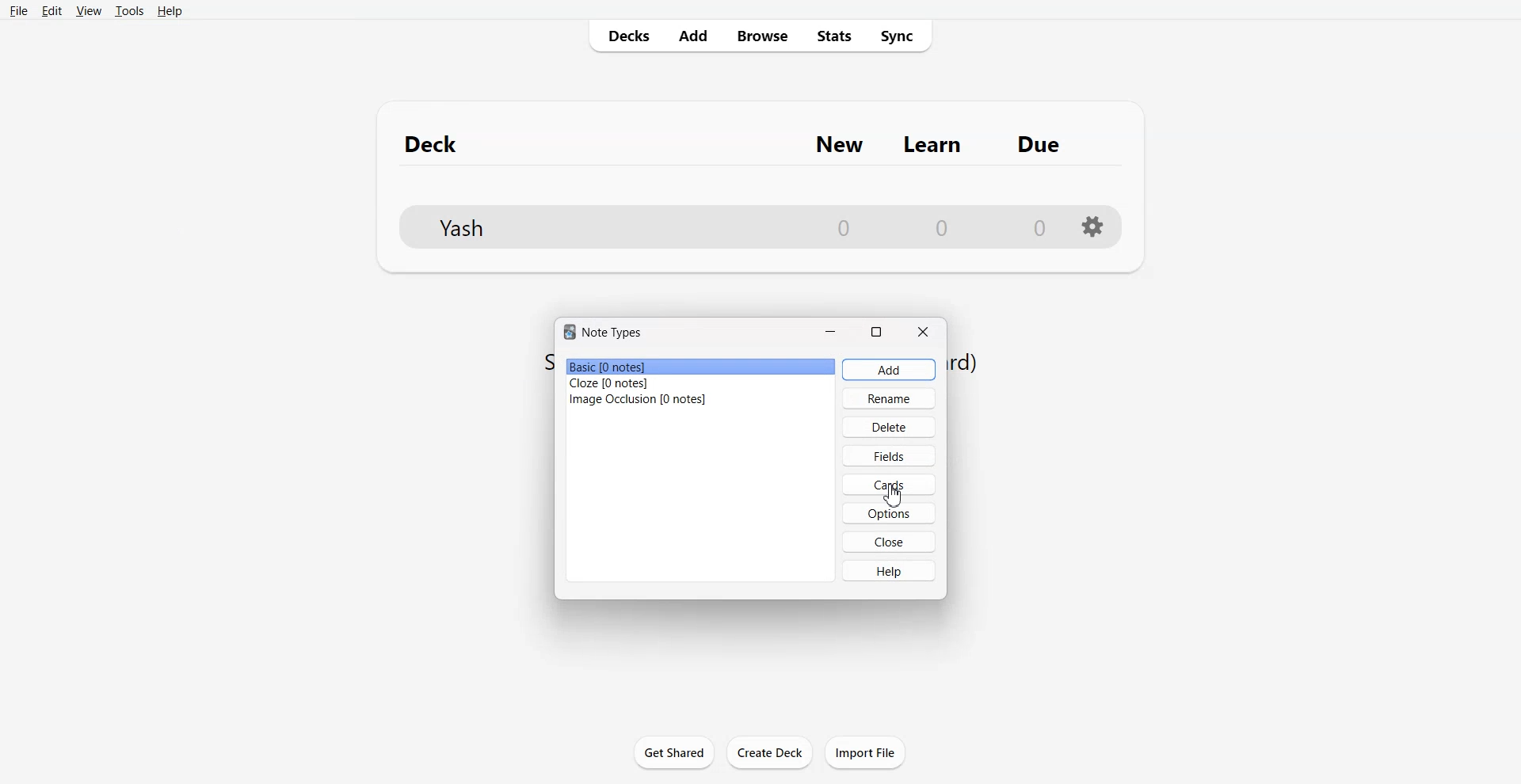 This screenshot has height=784, width=1521. I want to click on Add, so click(888, 370).